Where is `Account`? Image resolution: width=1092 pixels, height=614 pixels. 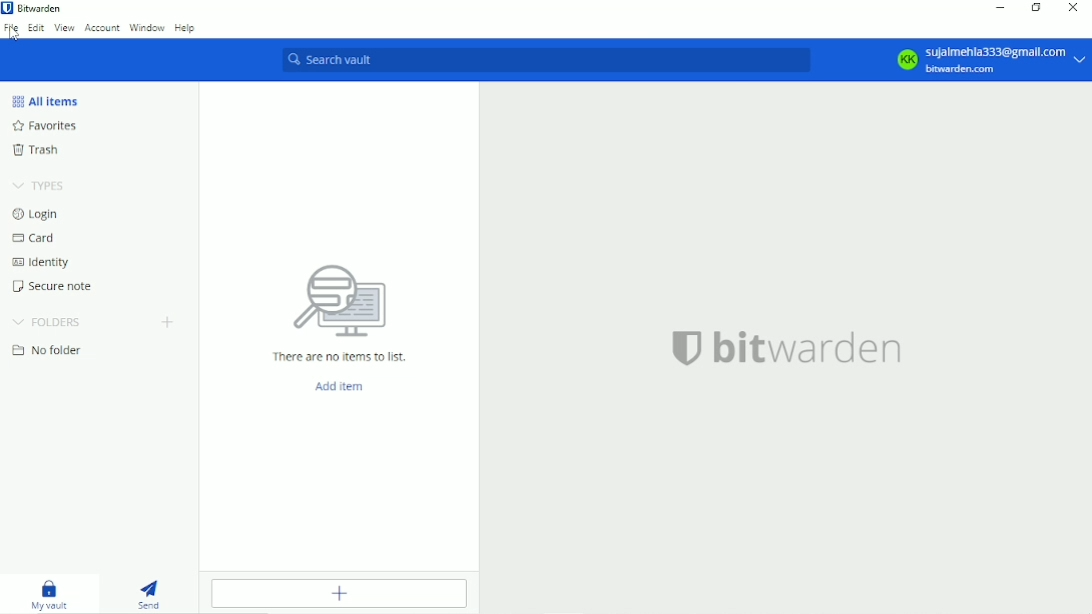 Account is located at coordinates (100, 29).